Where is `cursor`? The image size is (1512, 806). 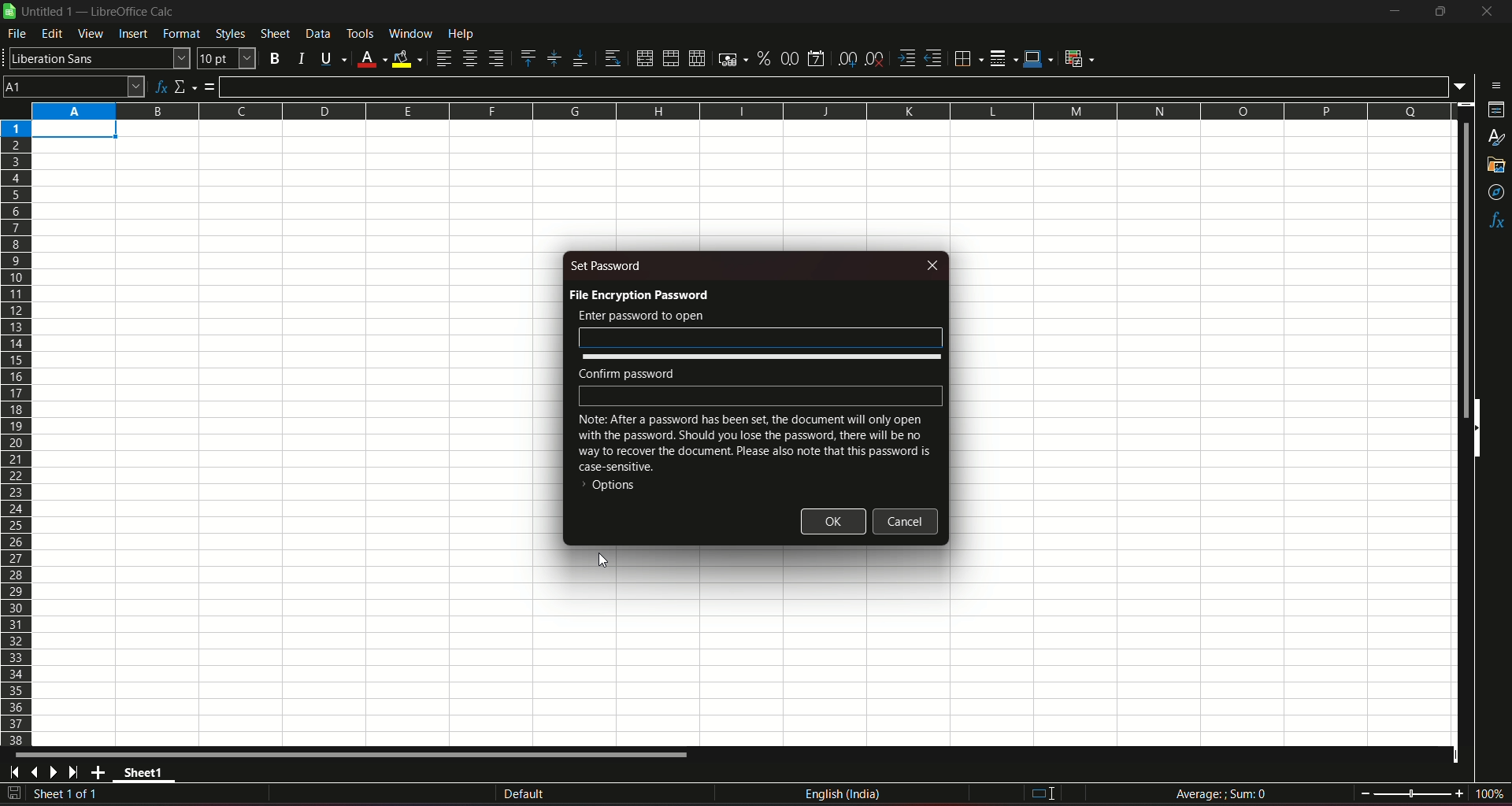 cursor is located at coordinates (603, 560).